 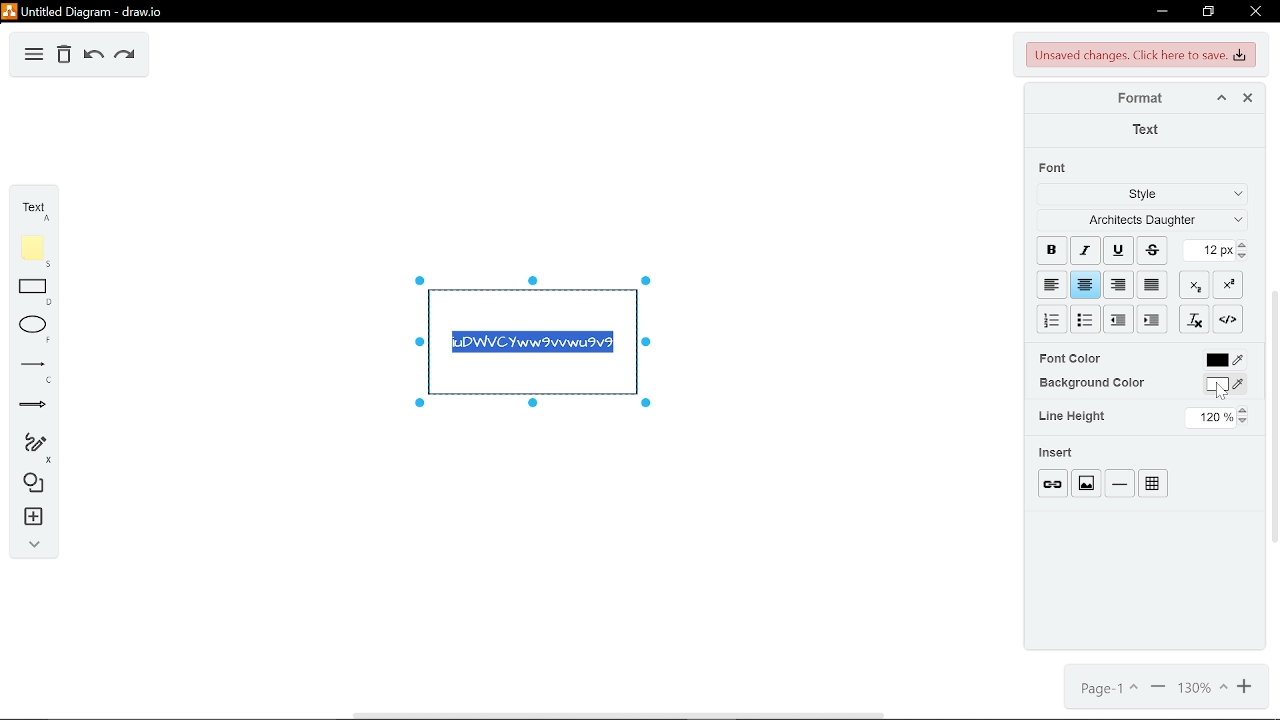 I want to click on bold , so click(x=1052, y=248).